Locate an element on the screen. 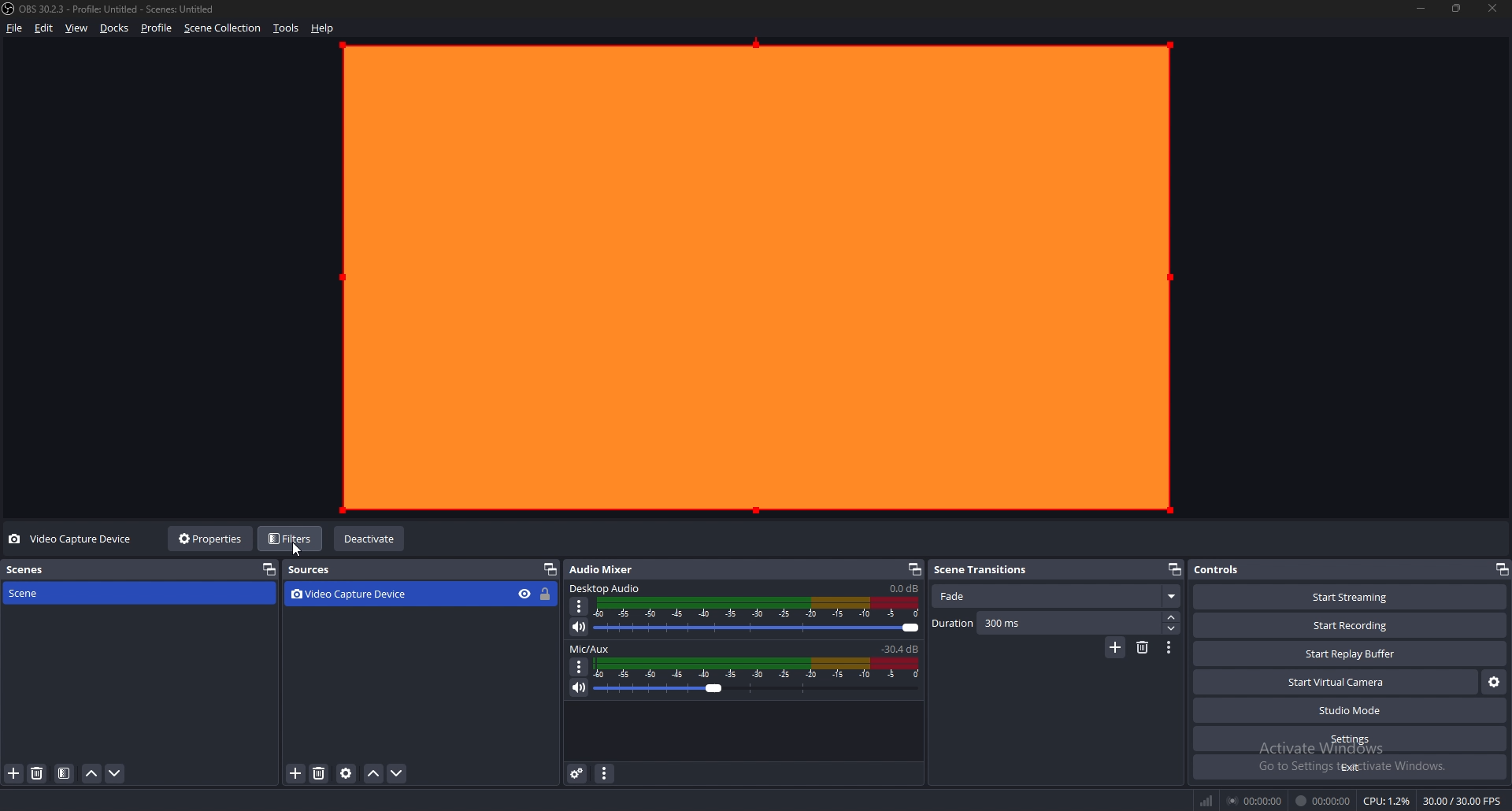 This screenshot has width=1512, height=811. remove source is located at coordinates (319, 775).